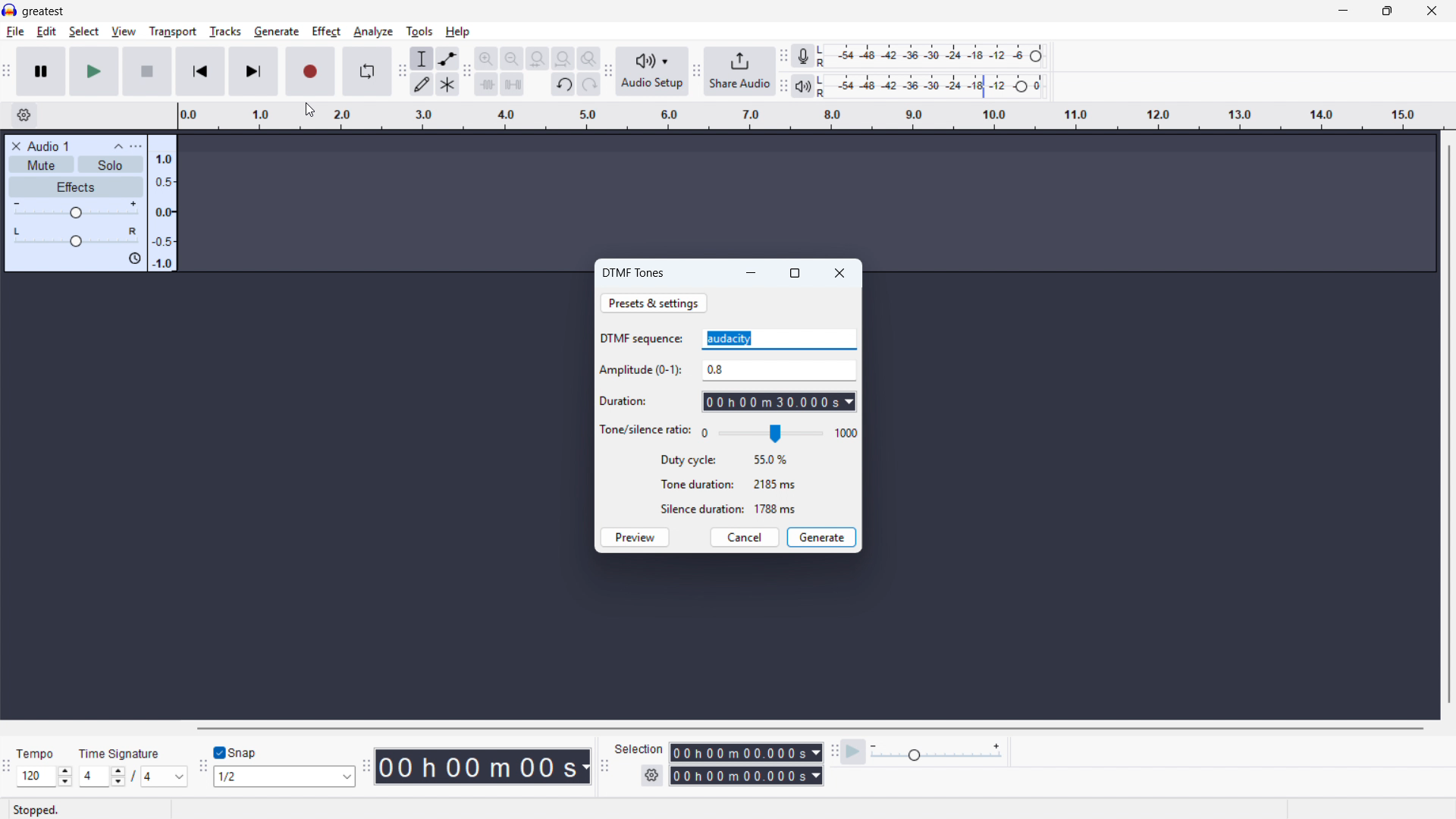 Image resolution: width=1456 pixels, height=819 pixels. I want to click on duty cycle: 55.0%, so click(726, 460).